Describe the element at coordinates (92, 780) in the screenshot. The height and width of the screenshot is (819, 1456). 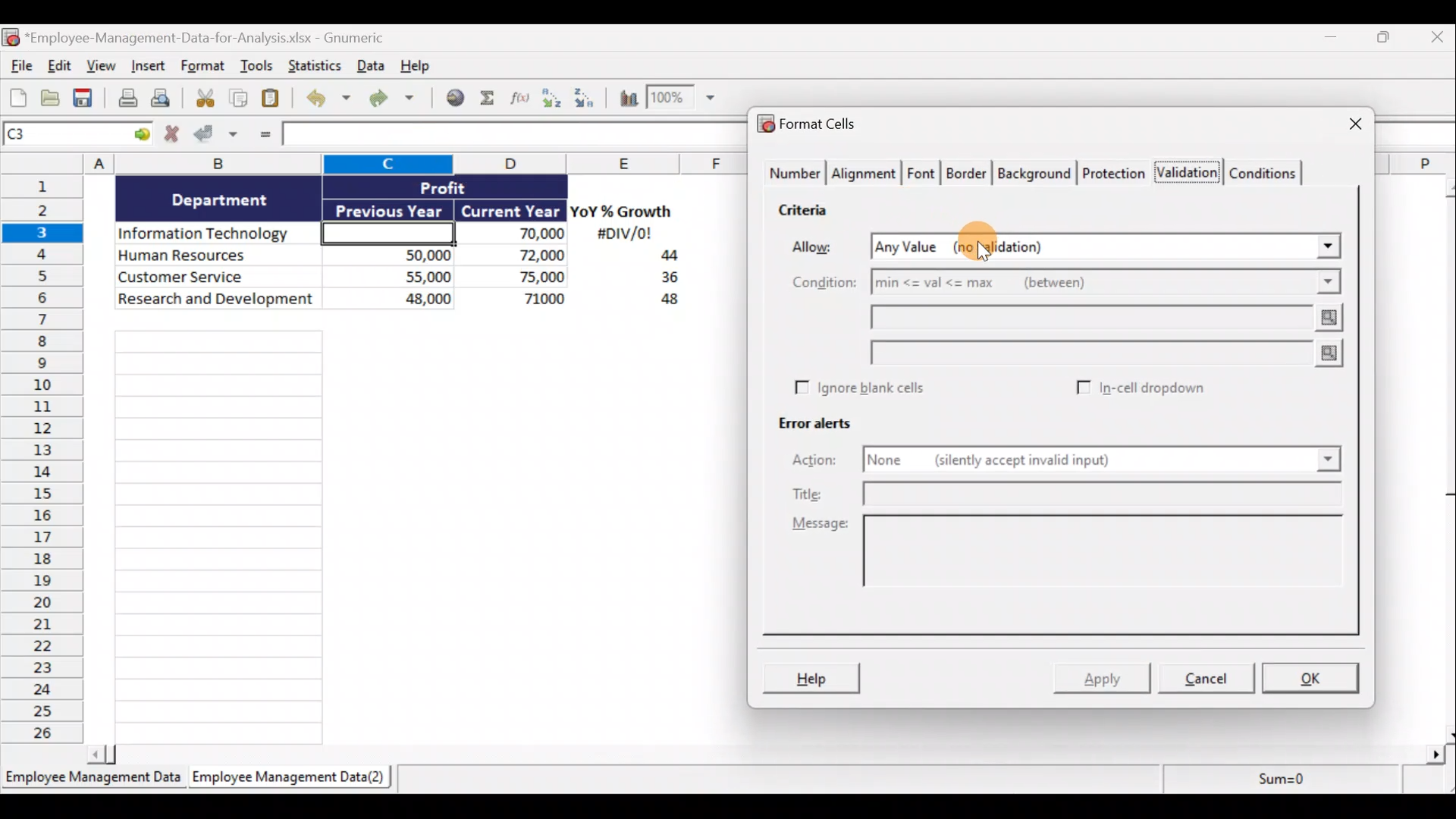
I see `Employee Management Data` at that location.